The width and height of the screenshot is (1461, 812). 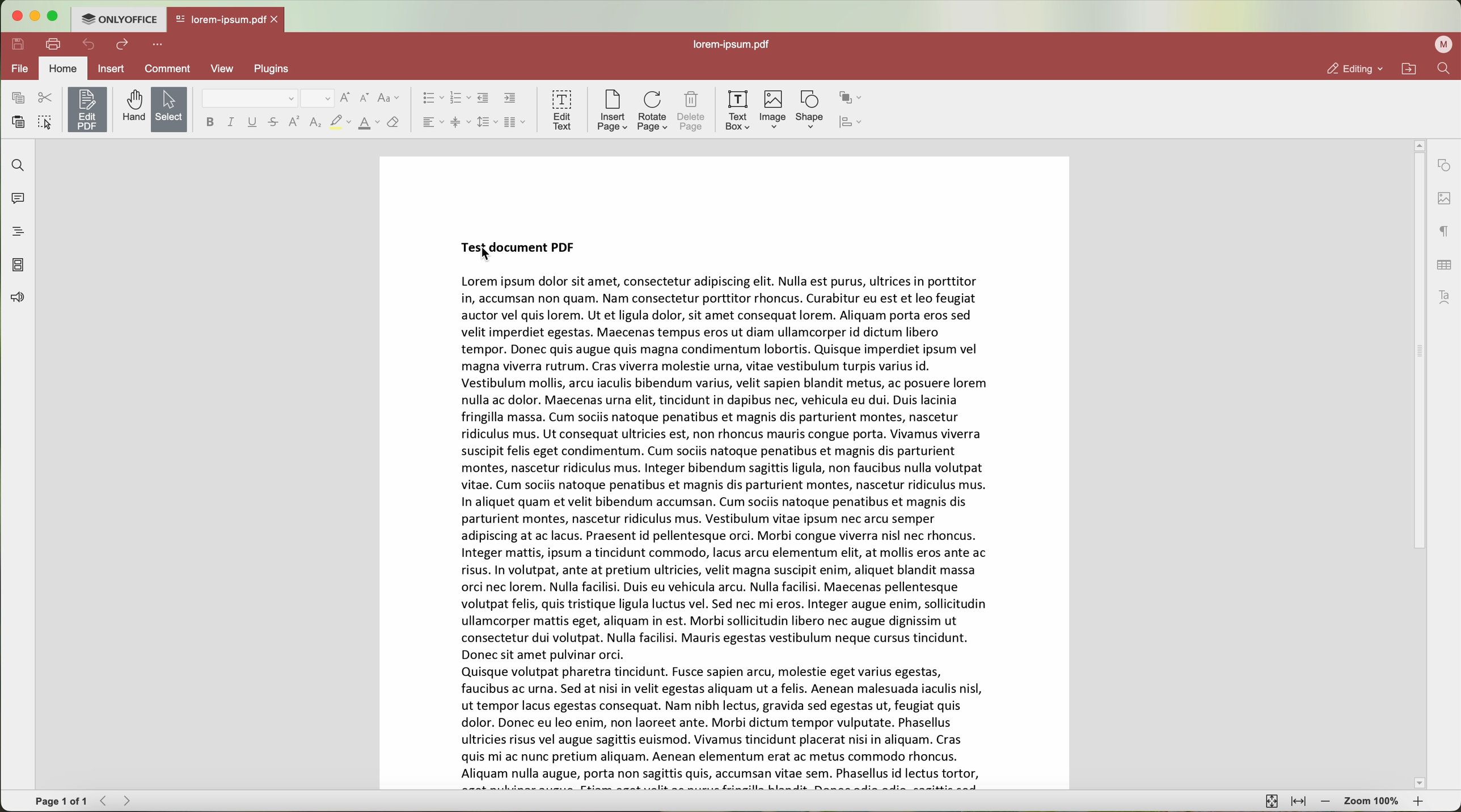 What do you see at coordinates (88, 45) in the screenshot?
I see `undo` at bounding box center [88, 45].